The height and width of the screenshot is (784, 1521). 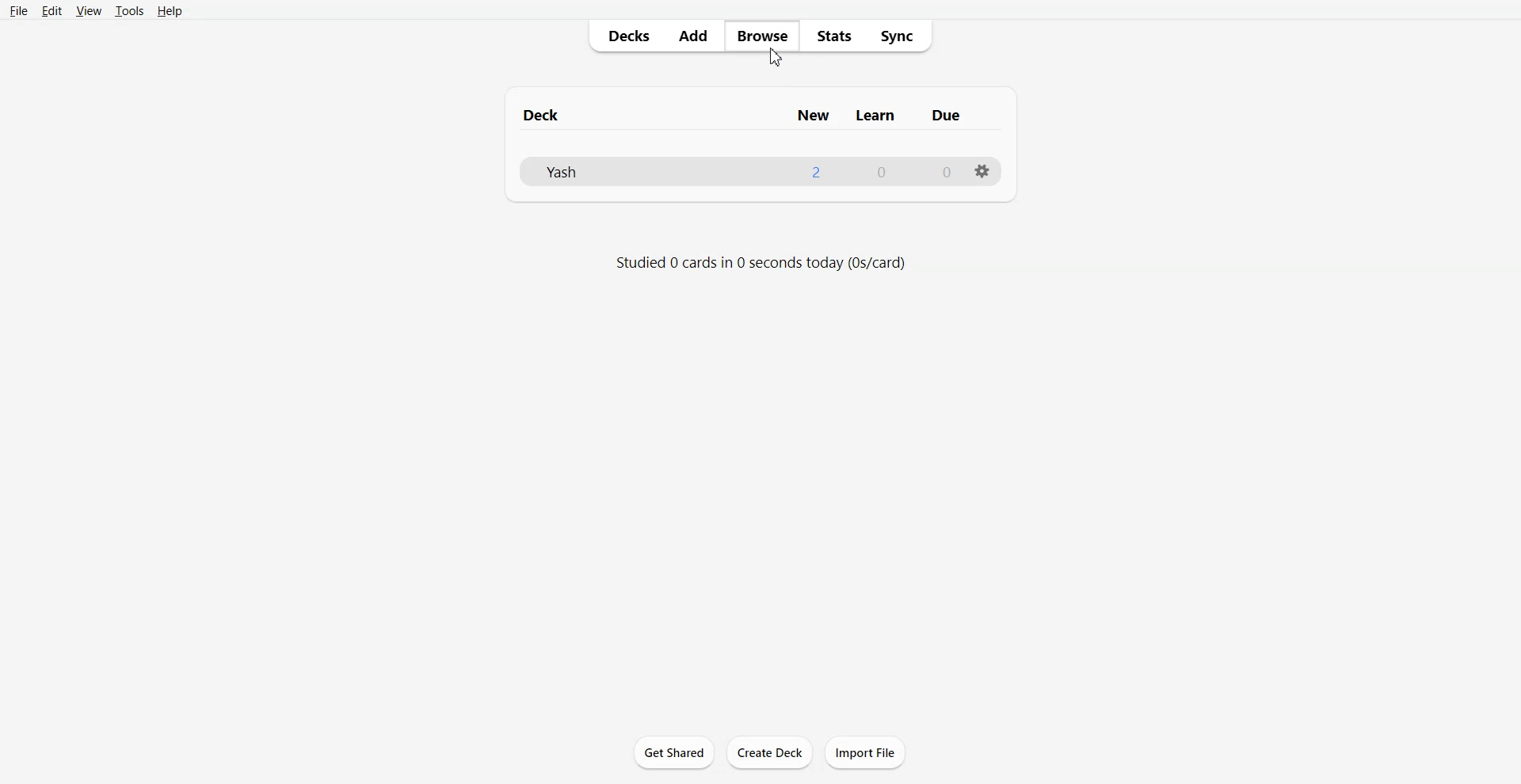 I want to click on New, so click(x=816, y=116).